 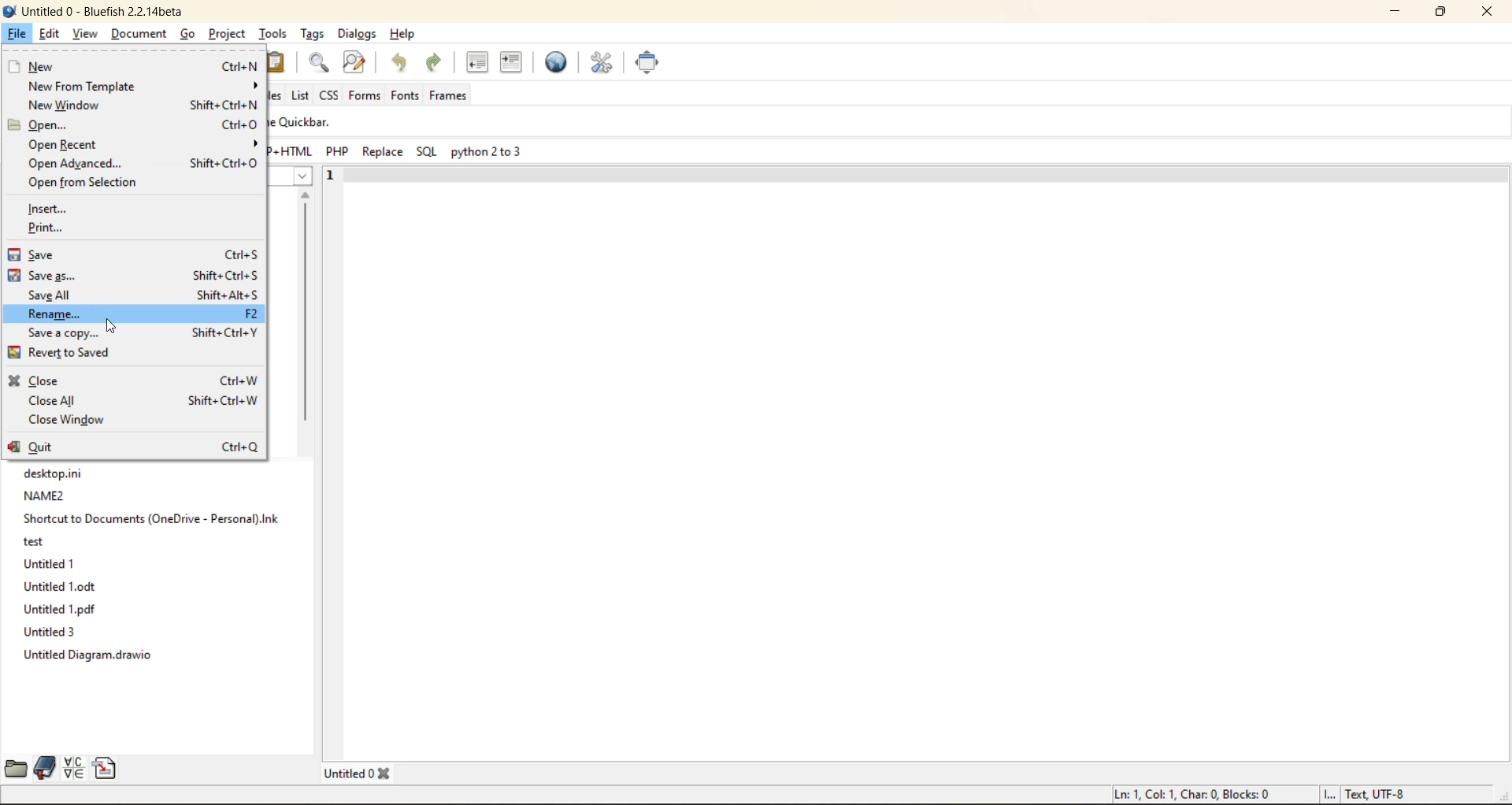 What do you see at coordinates (83, 165) in the screenshot?
I see `open advanced` at bounding box center [83, 165].